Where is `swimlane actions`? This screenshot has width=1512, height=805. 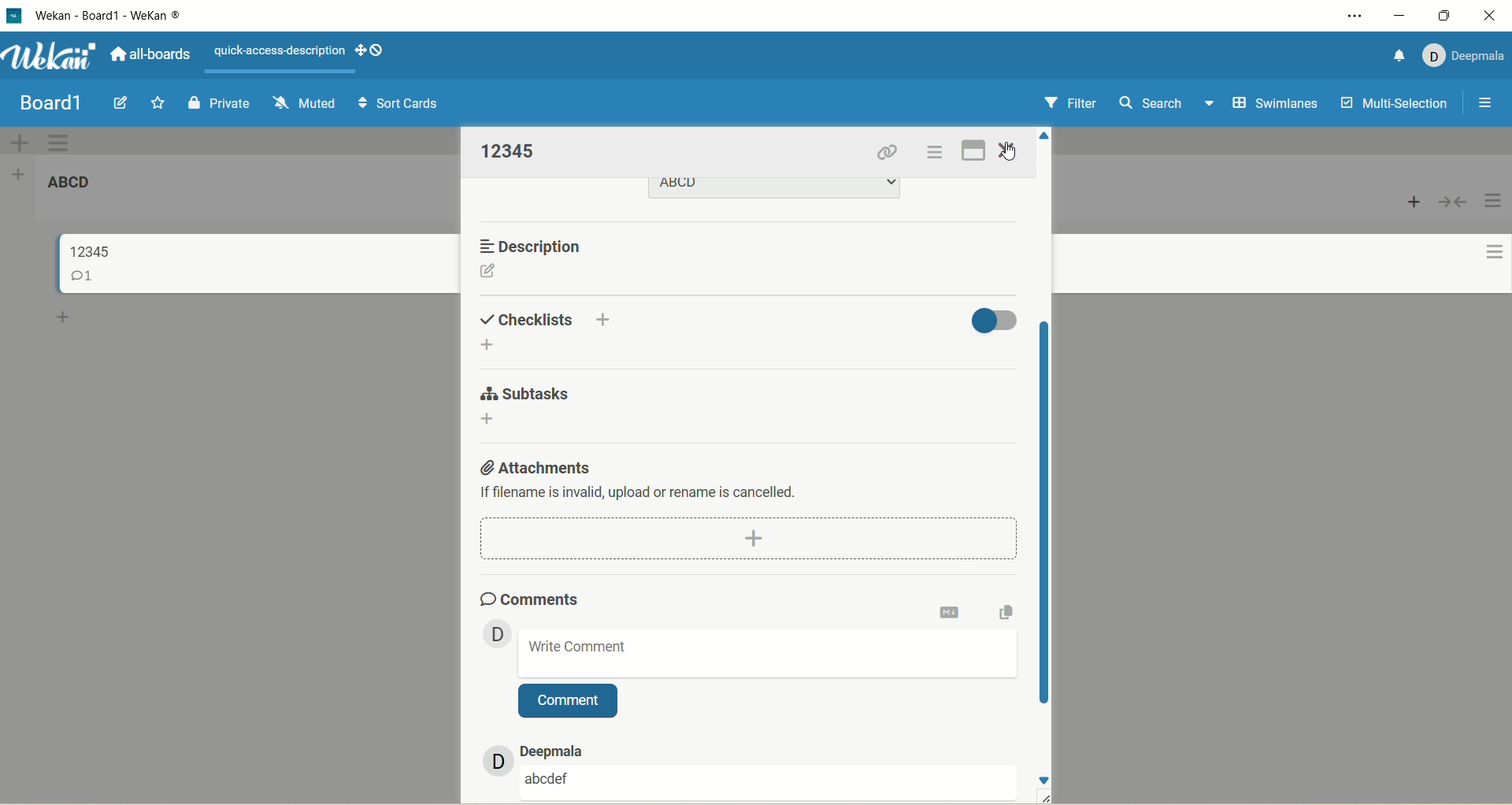
swimlane actions is located at coordinates (60, 143).